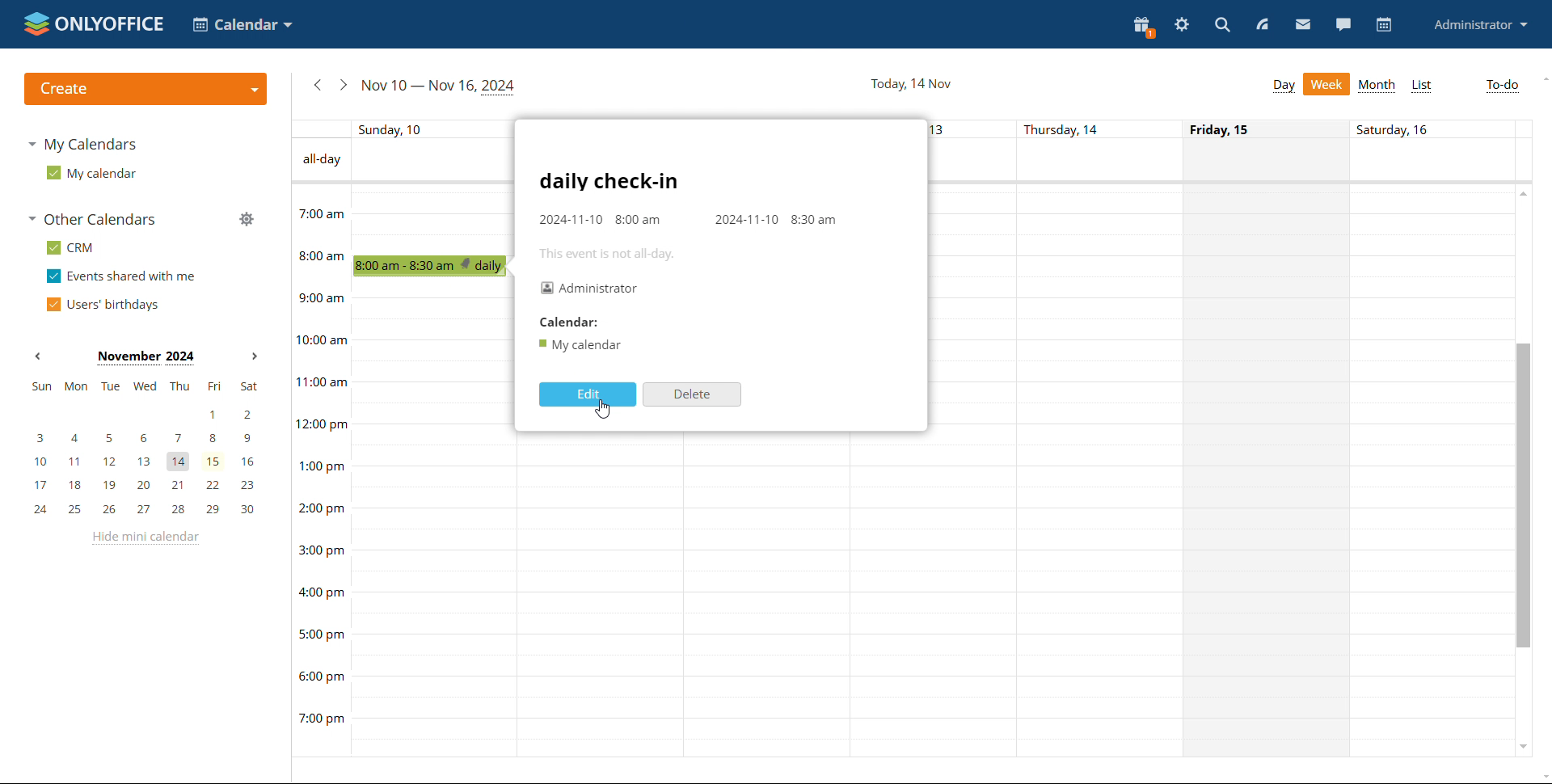 Image resolution: width=1552 pixels, height=784 pixels. What do you see at coordinates (242, 24) in the screenshot?
I see `select application` at bounding box center [242, 24].